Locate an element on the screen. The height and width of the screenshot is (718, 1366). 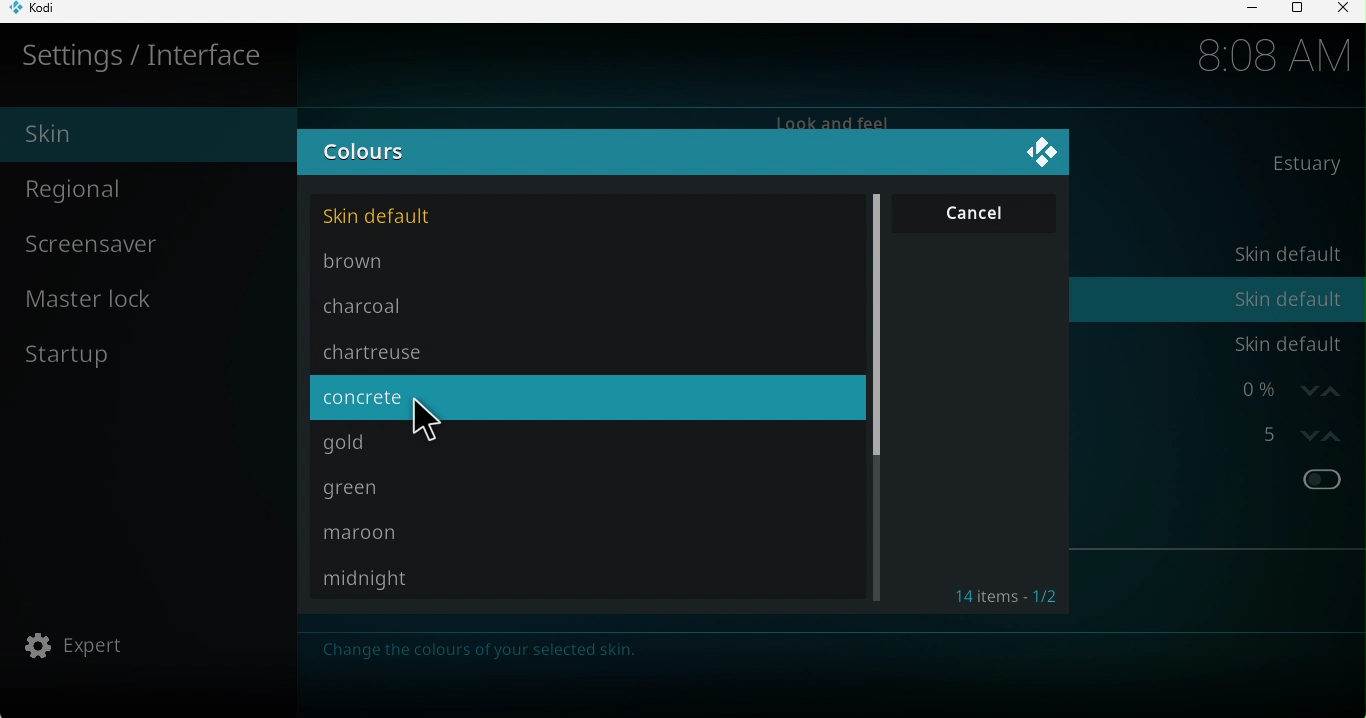
Reset above settings to default is located at coordinates (1218, 577).